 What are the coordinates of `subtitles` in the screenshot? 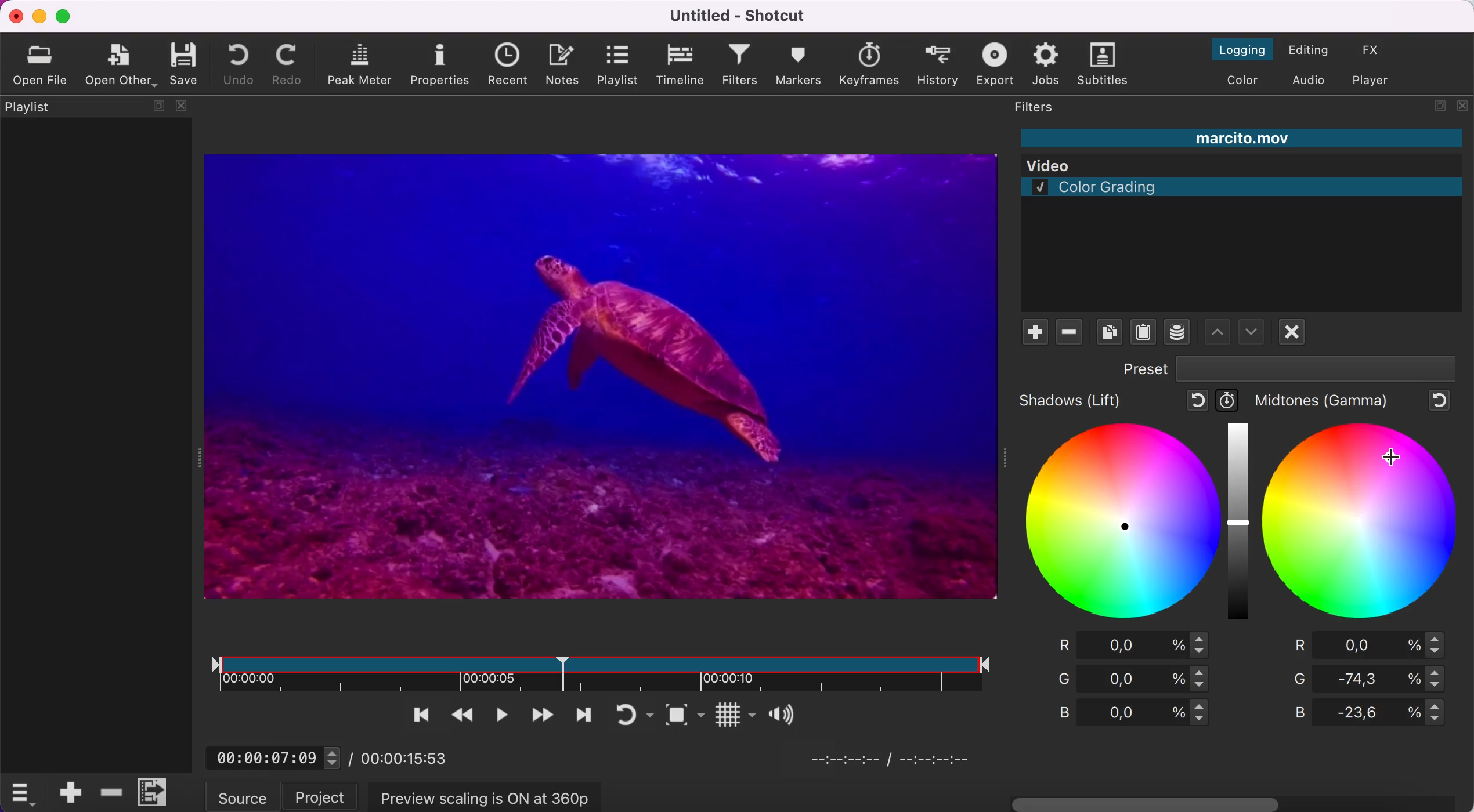 It's located at (1104, 66).